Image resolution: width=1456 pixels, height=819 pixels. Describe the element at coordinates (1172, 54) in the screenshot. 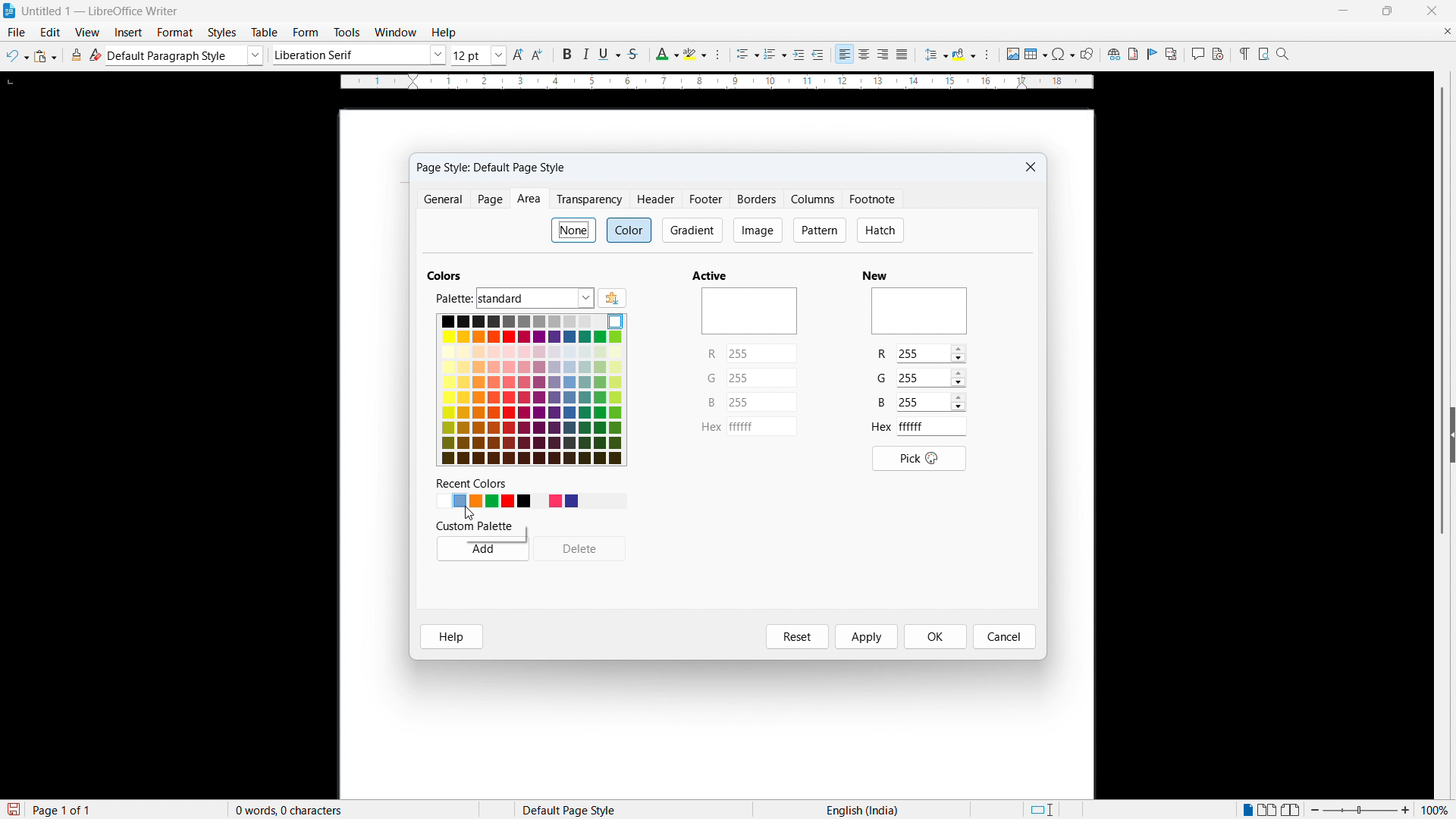

I see `Insert cross reference ` at that location.